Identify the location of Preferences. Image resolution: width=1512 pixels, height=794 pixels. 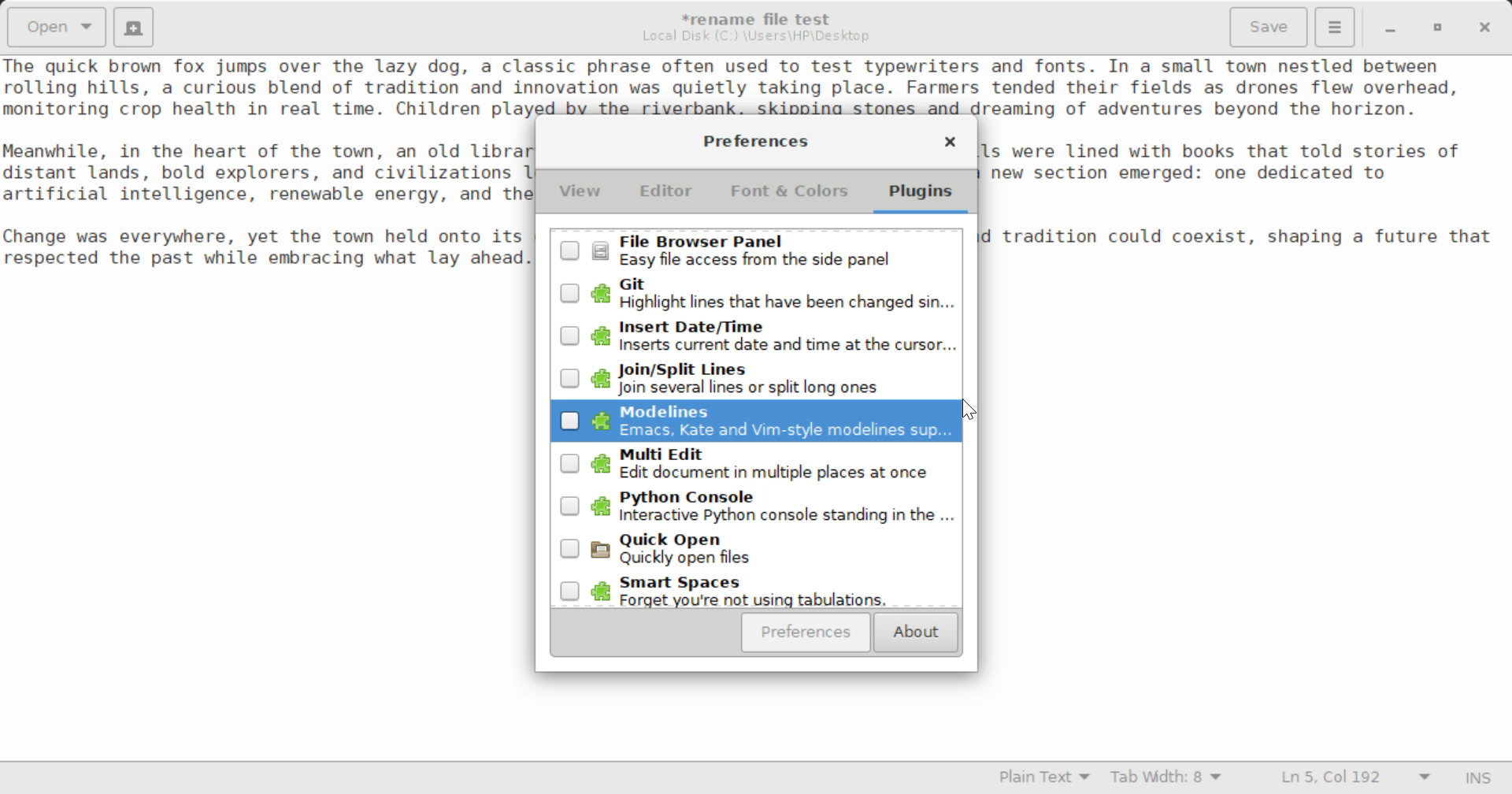
(806, 633).